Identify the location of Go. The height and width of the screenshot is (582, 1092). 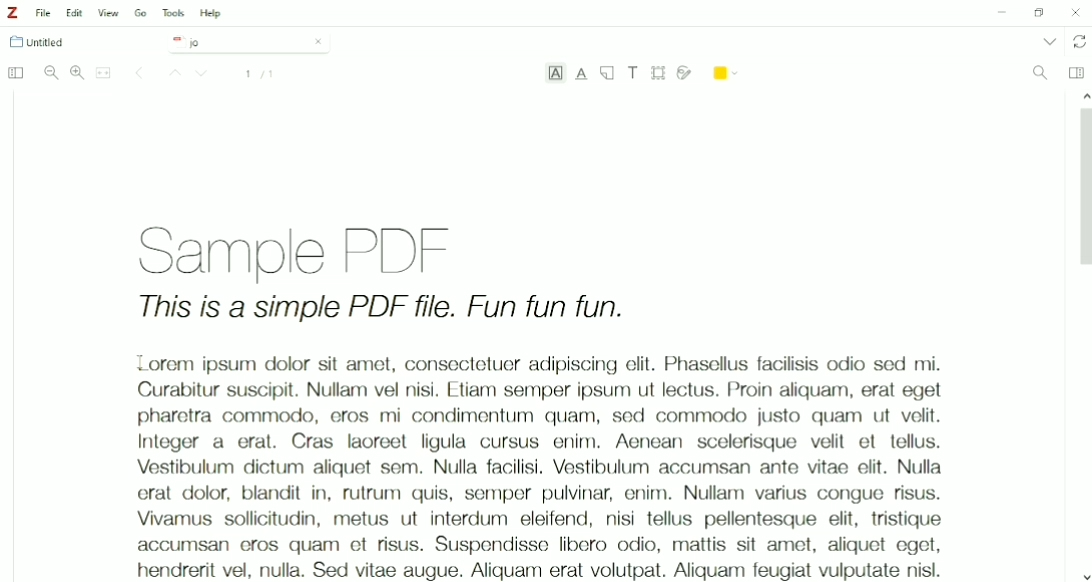
(141, 12).